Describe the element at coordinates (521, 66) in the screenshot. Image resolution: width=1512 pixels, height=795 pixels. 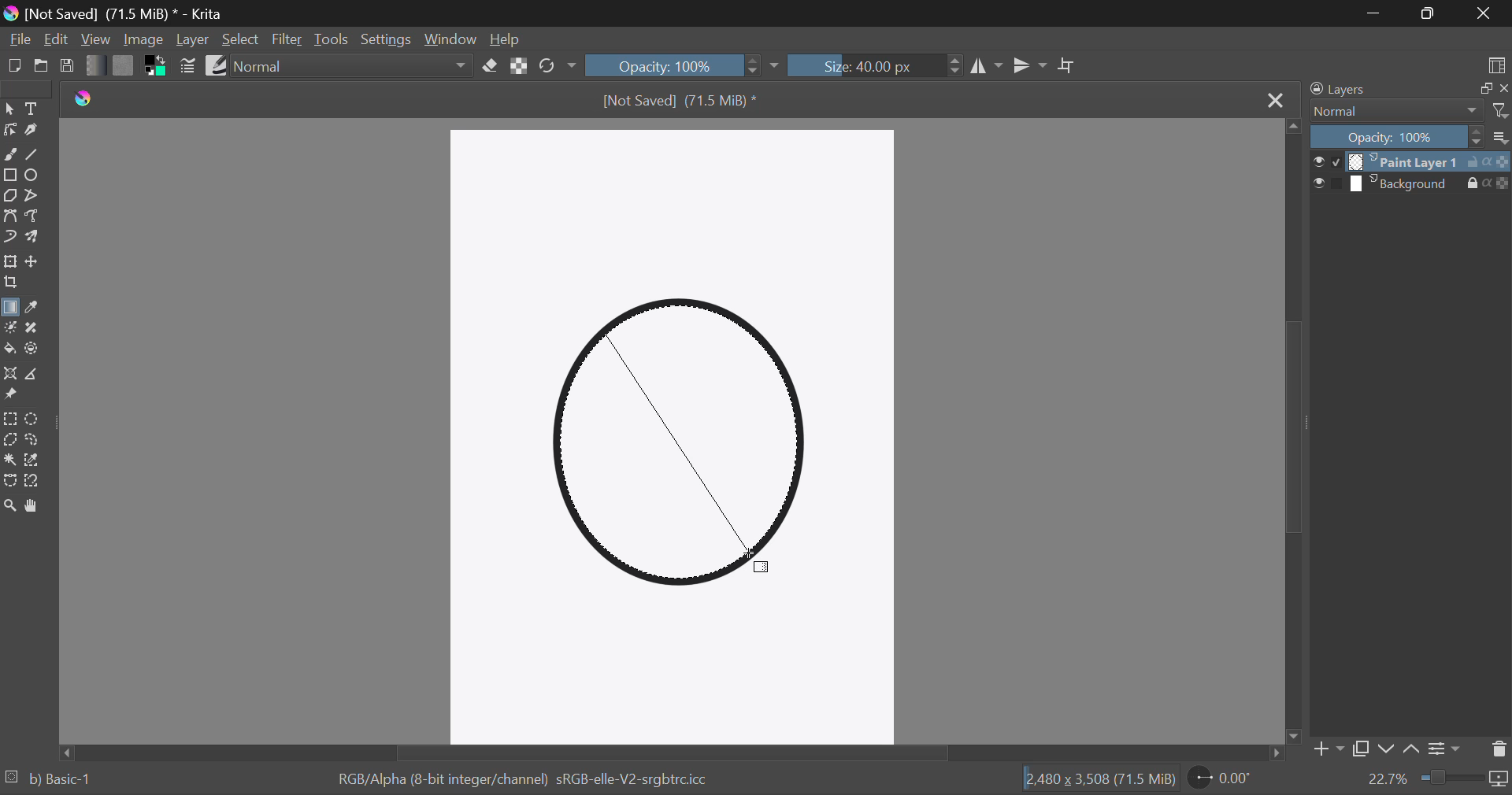
I see `Lock Alpha` at that location.